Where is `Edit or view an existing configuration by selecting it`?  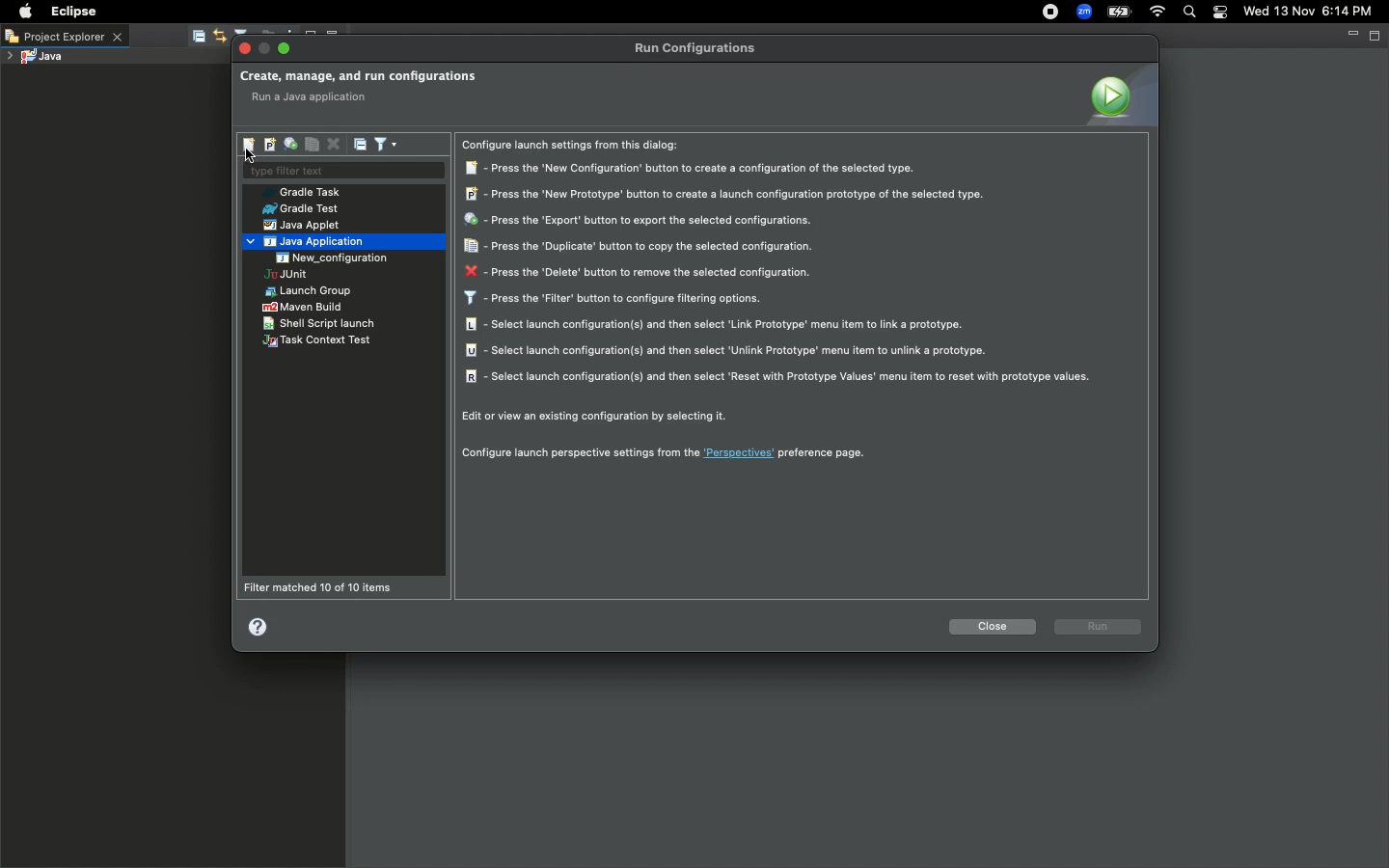
Edit or view an existing configuration by selecting it is located at coordinates (600, 418).